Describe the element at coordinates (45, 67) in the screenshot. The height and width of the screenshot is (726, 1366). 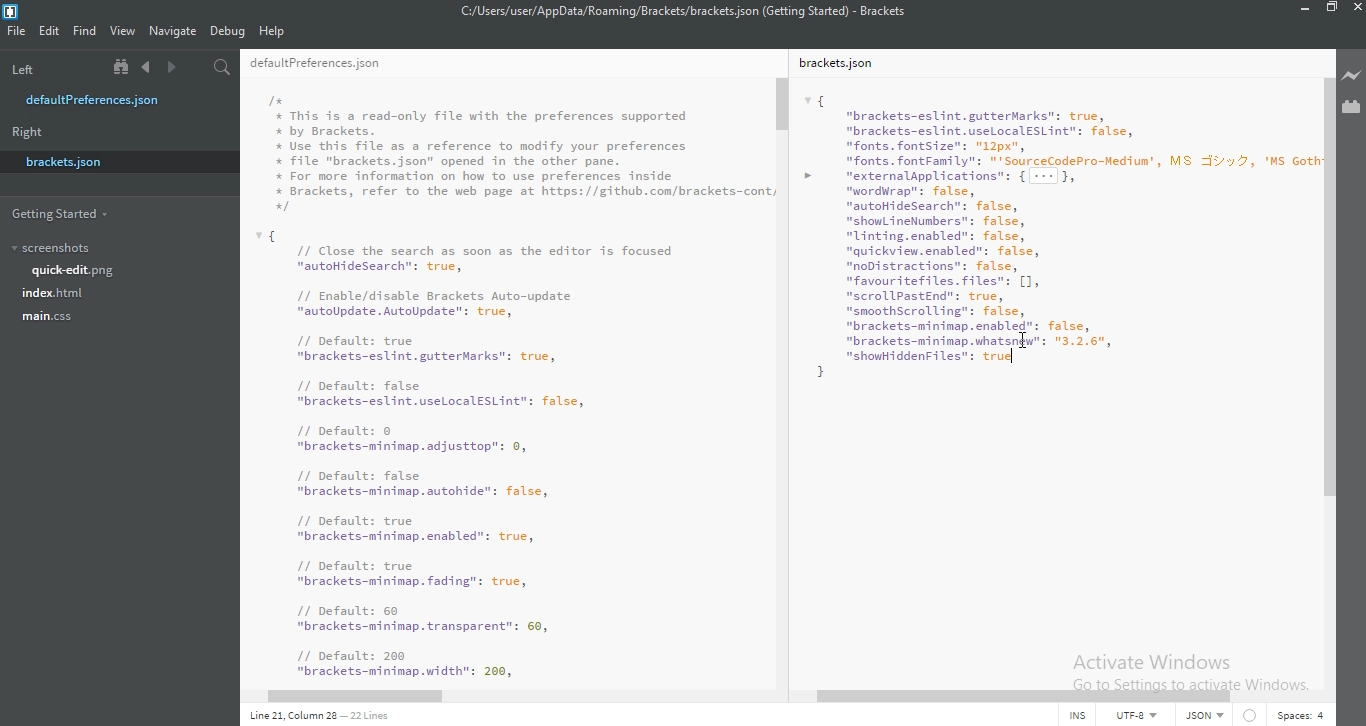
I see `left` at that location.